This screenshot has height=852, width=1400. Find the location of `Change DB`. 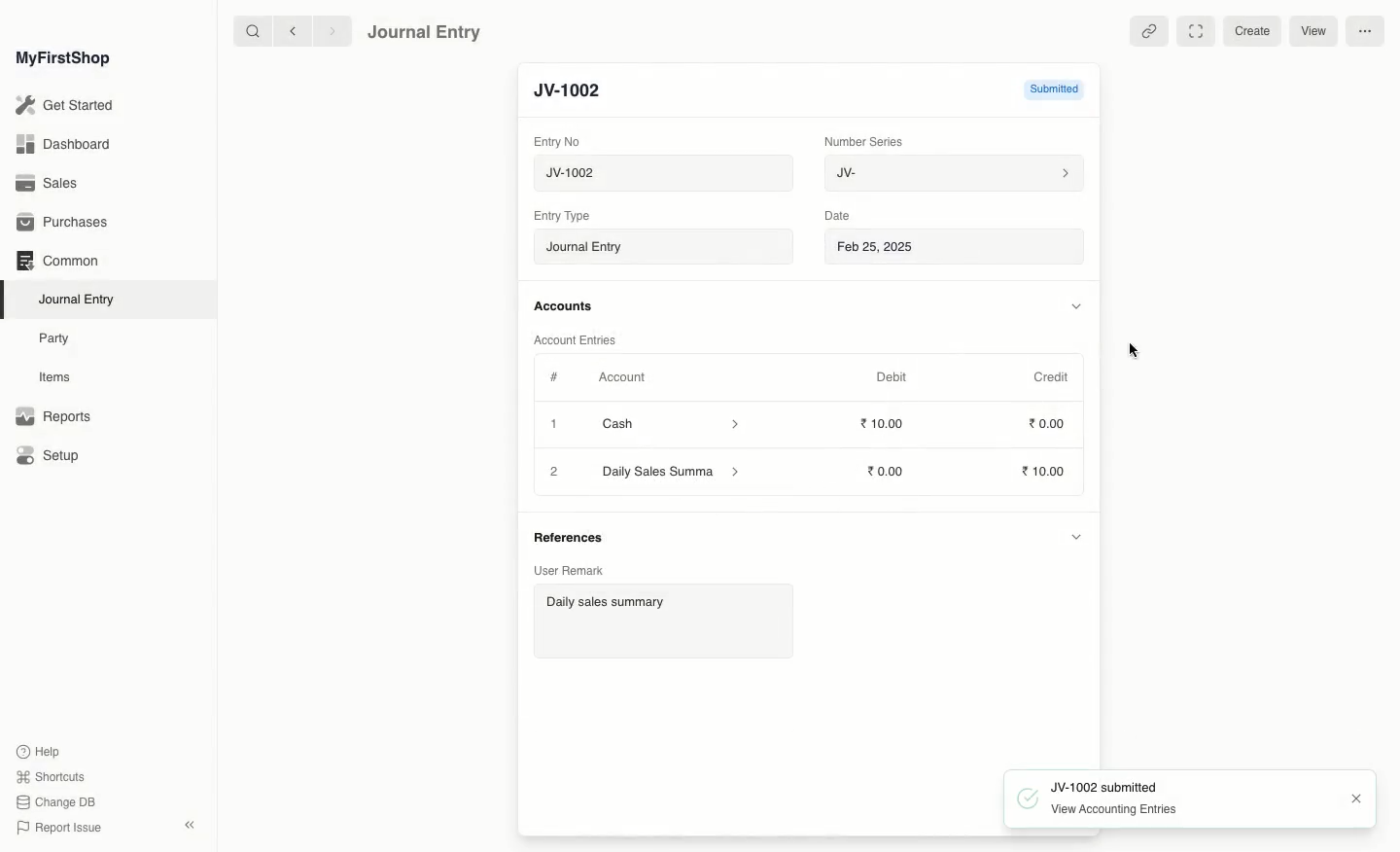

Change DB is located at coordinates (56, 803).